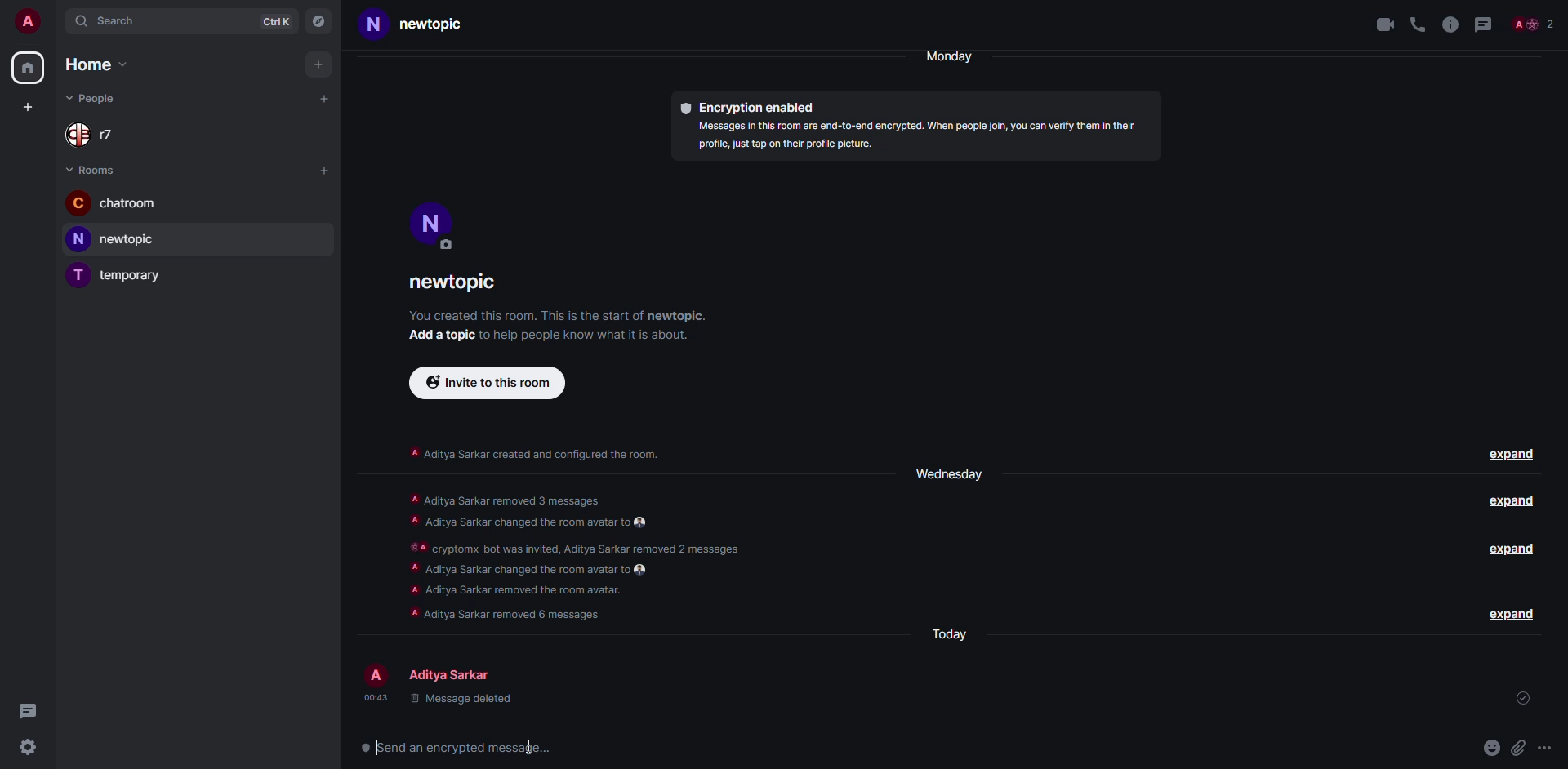 The width and height of the screenshot is (1568, 769). I want to click on sent, so click(1526, 699).